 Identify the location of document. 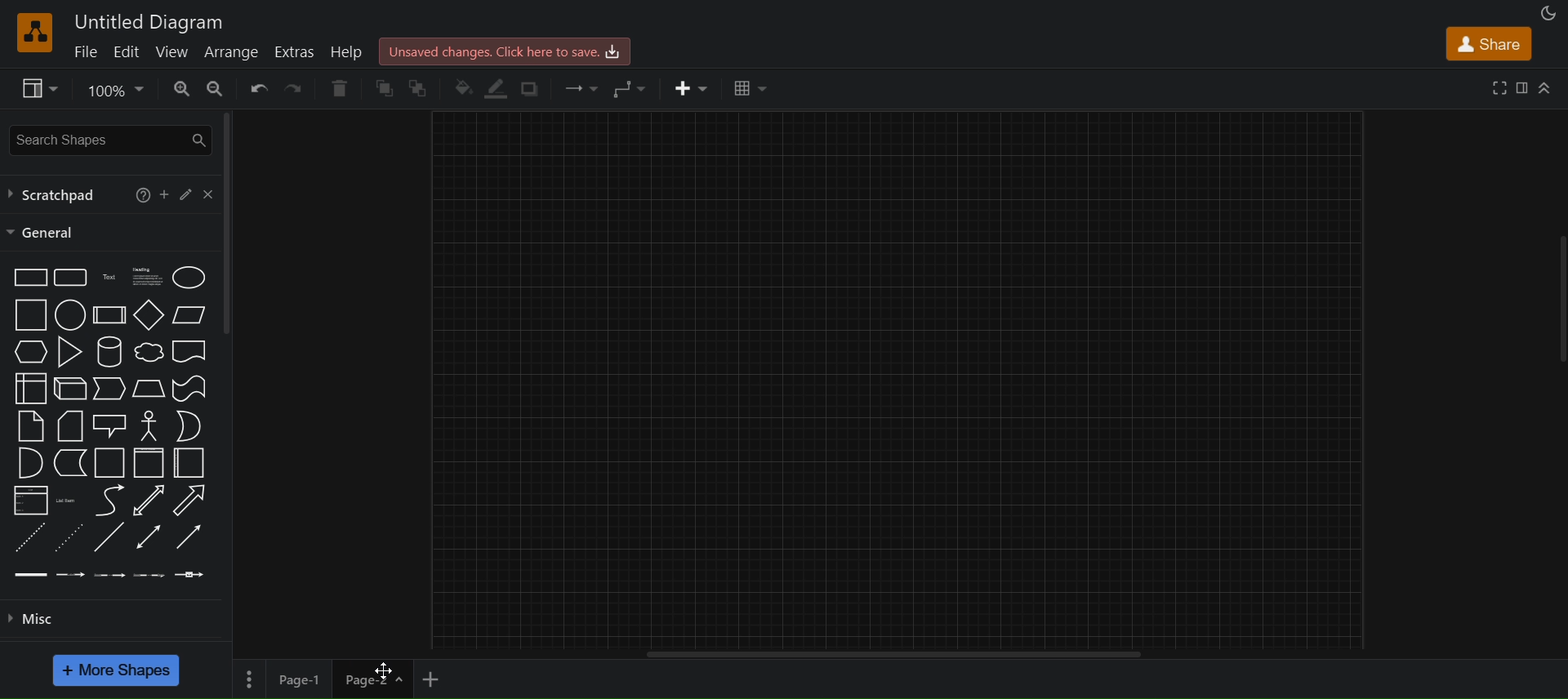
(190, 351).